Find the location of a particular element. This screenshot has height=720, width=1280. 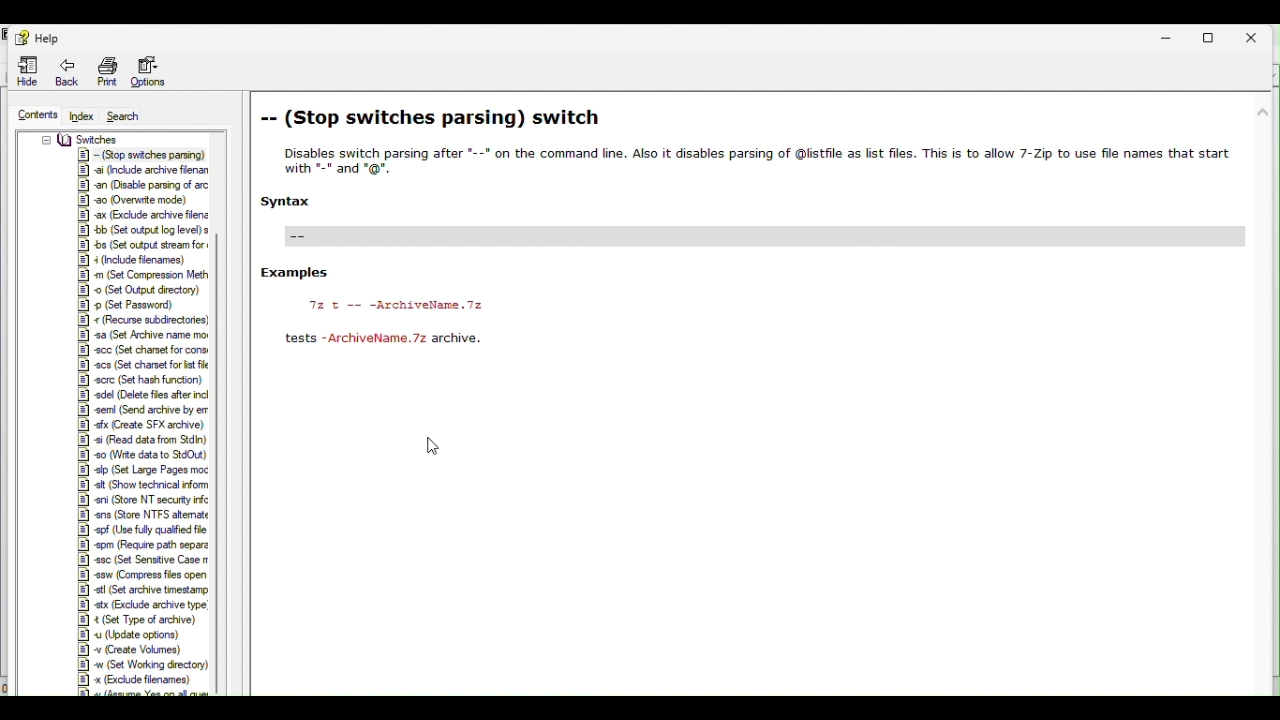

 is located at coordinates (141, 154).